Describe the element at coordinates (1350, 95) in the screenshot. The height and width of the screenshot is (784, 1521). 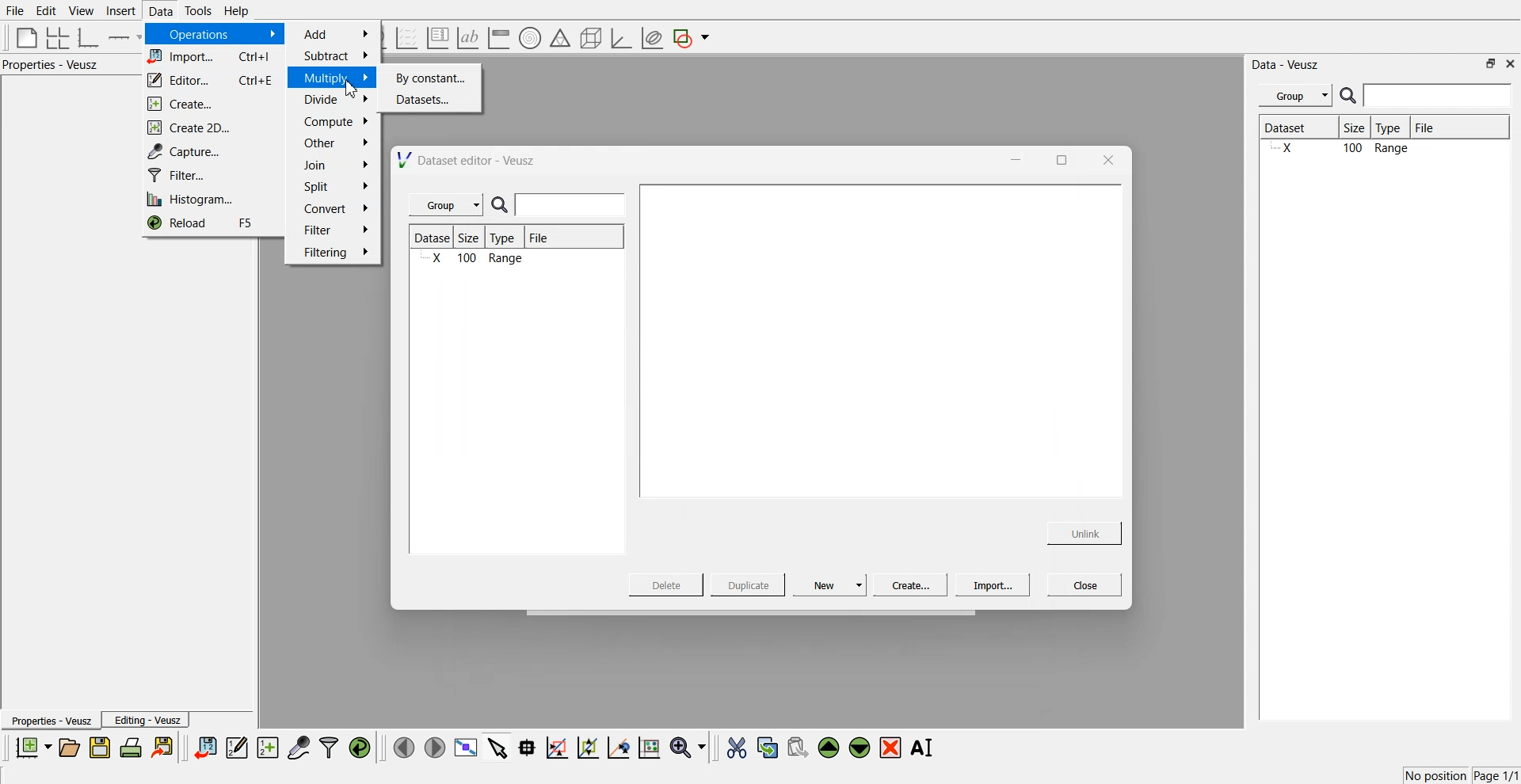
I see `search icon` at that location.